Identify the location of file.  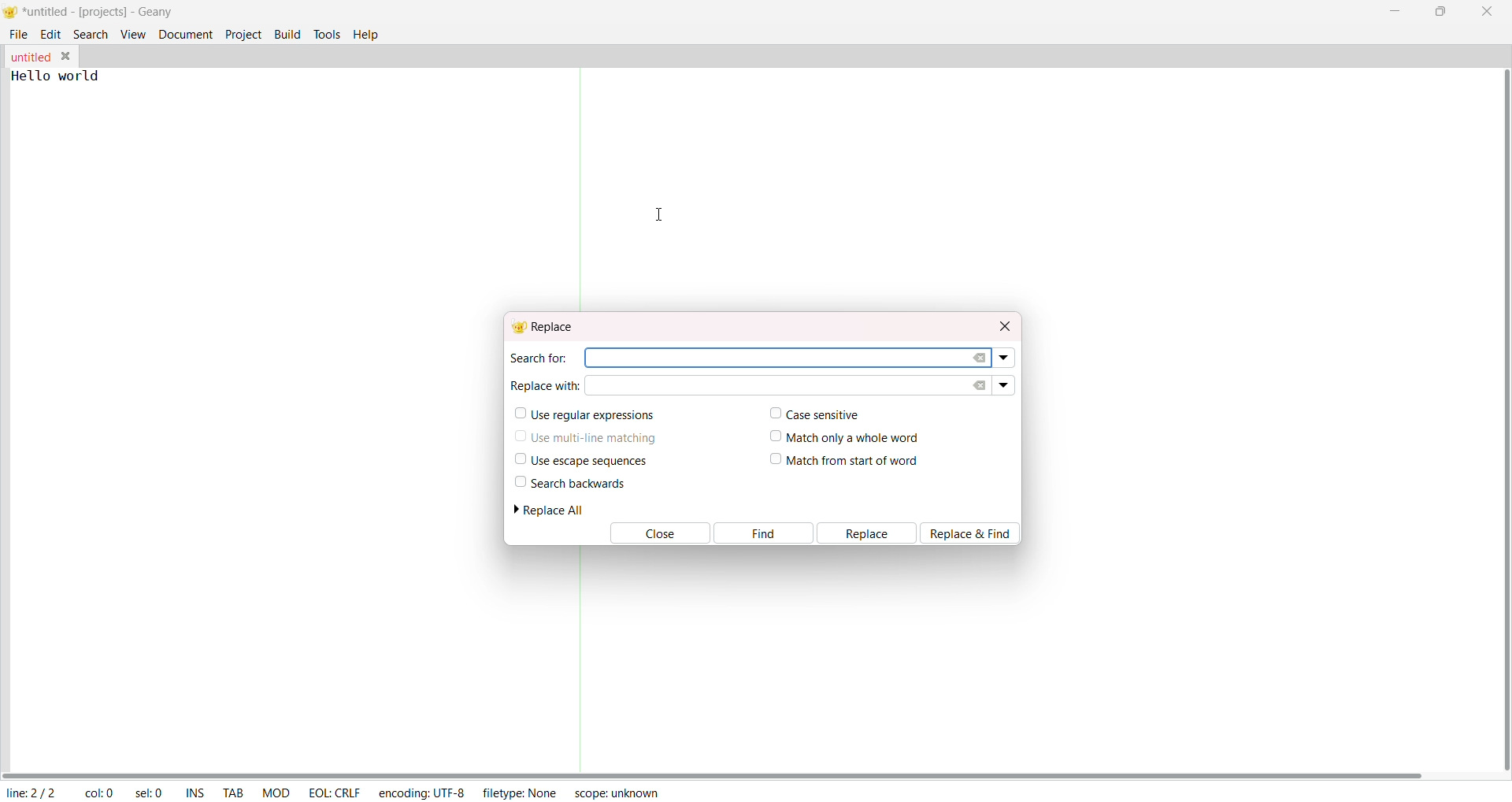
(20, 32).